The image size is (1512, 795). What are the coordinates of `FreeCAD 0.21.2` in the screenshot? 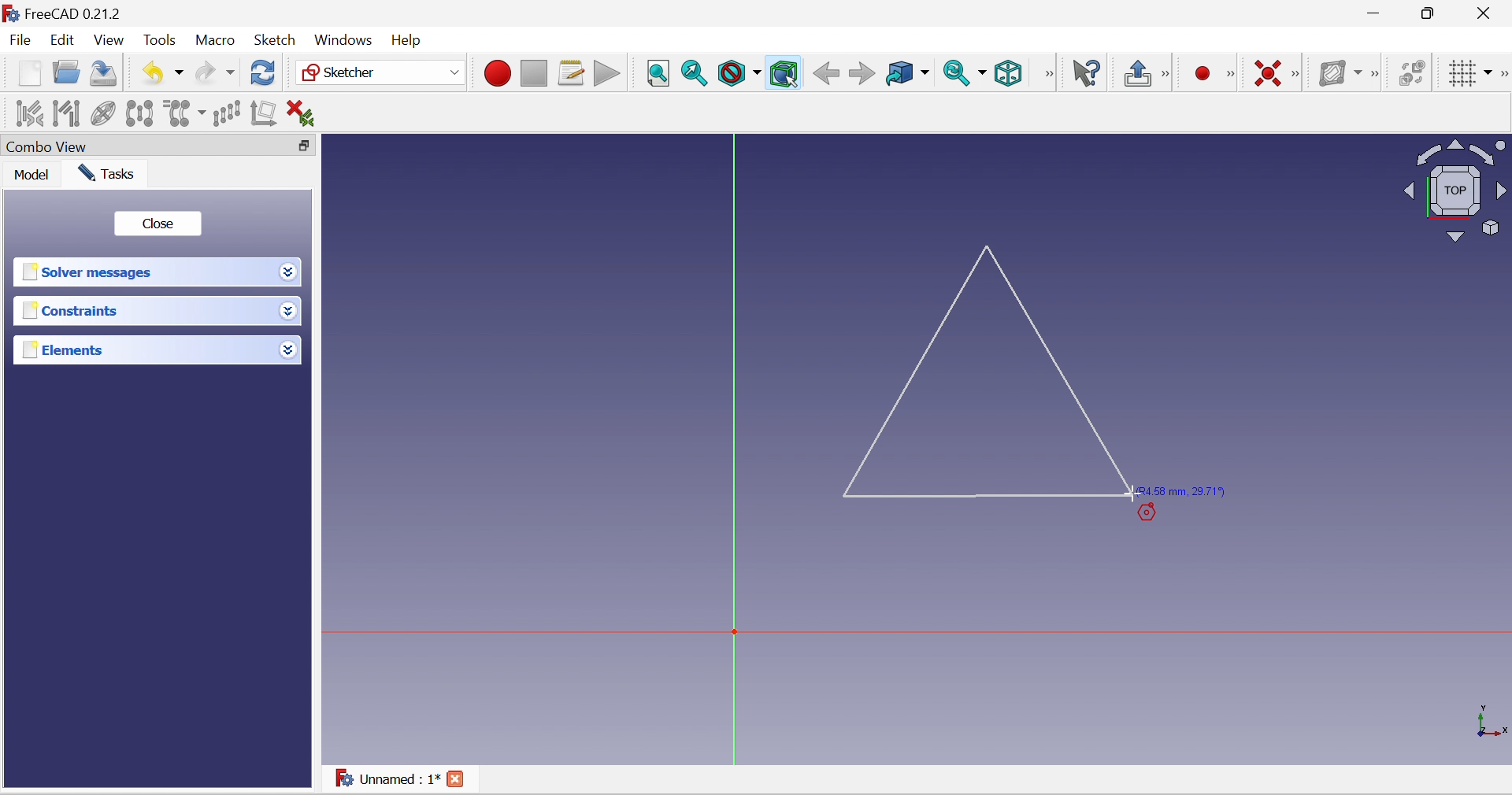 It's located at (63, 13).